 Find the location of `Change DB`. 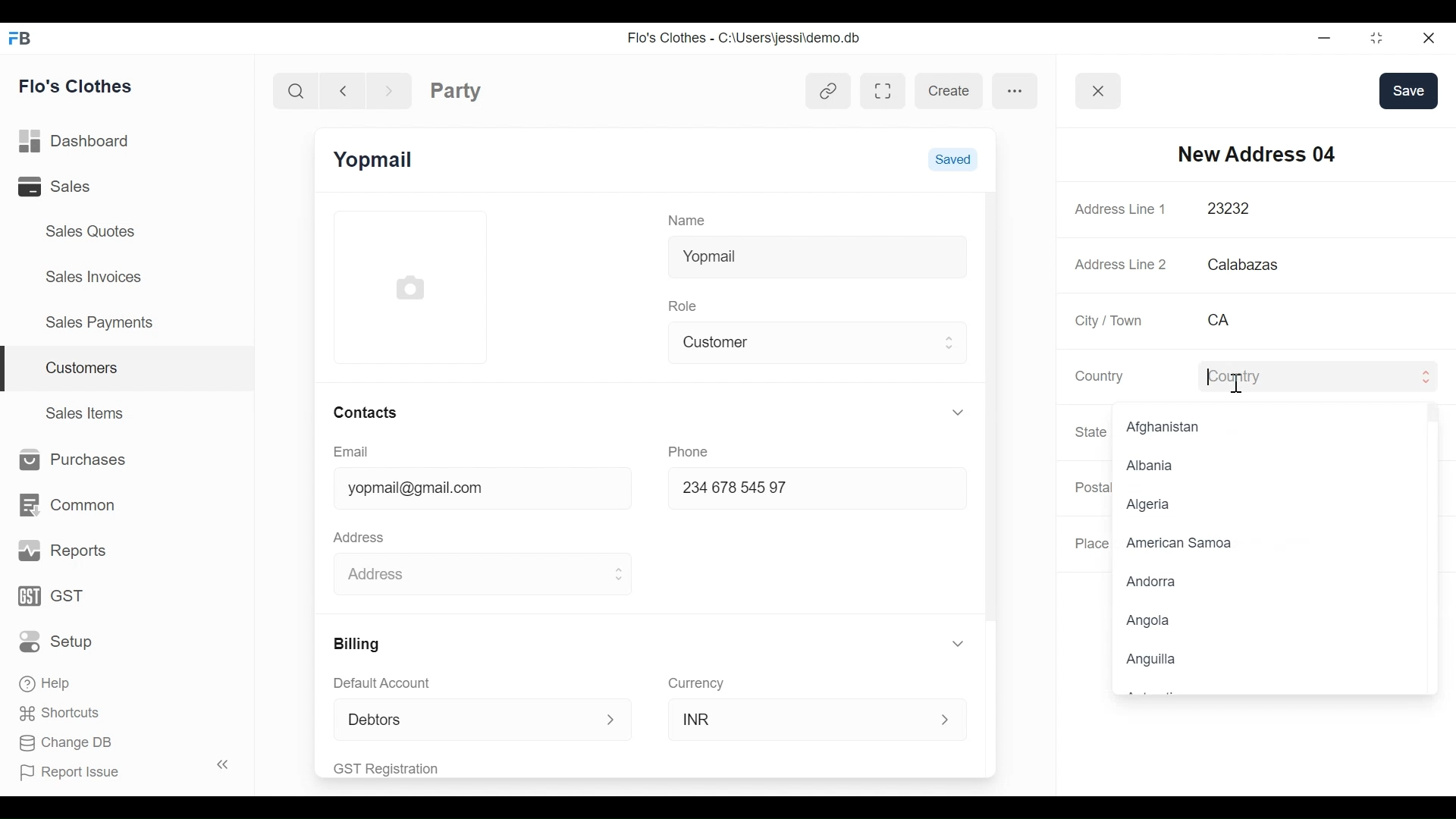

Change DB is located at coordinates (67, 745).